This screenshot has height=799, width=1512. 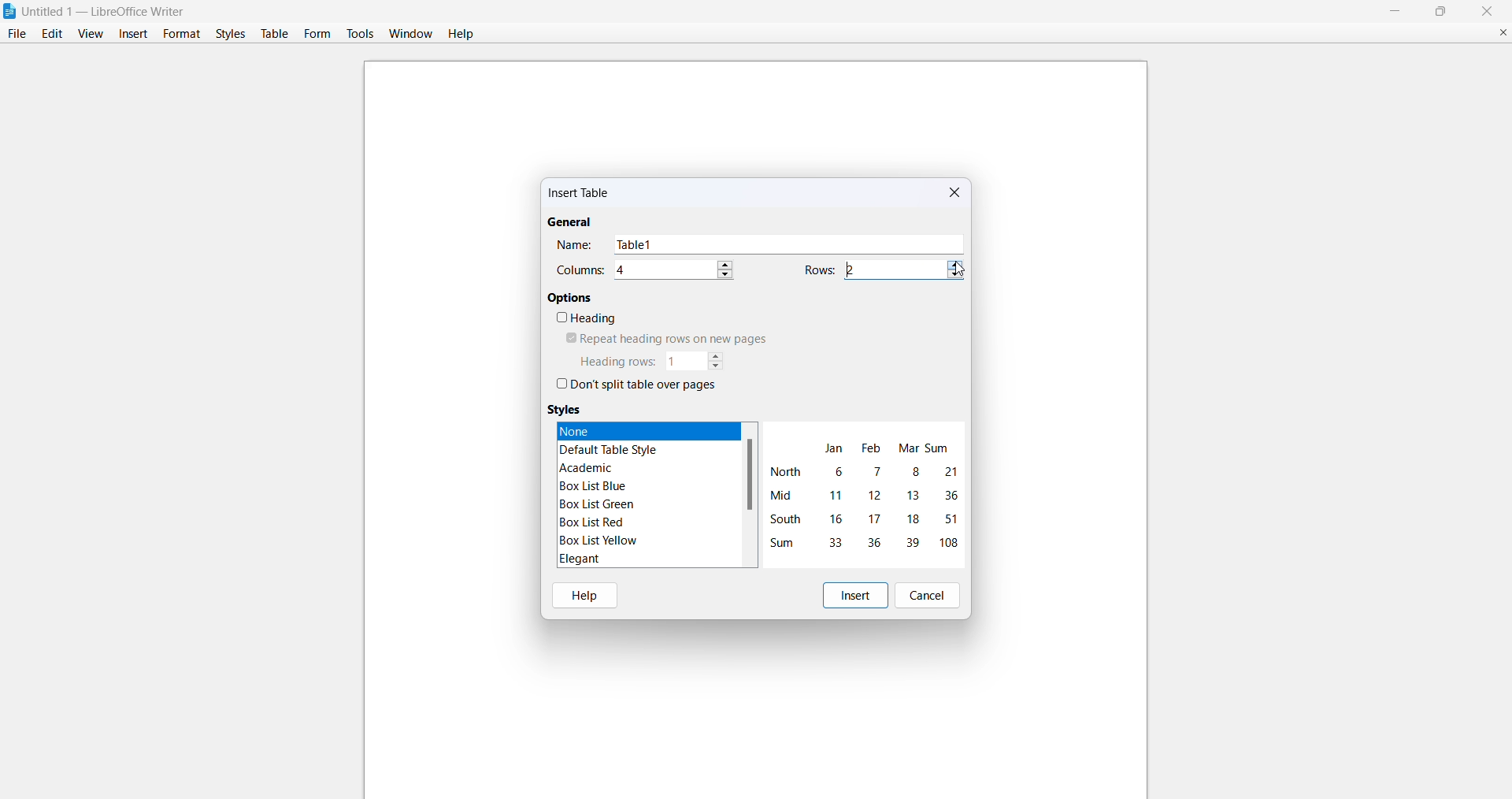 I want to click on libreofficewriter logo, so click(x=9, y=11).